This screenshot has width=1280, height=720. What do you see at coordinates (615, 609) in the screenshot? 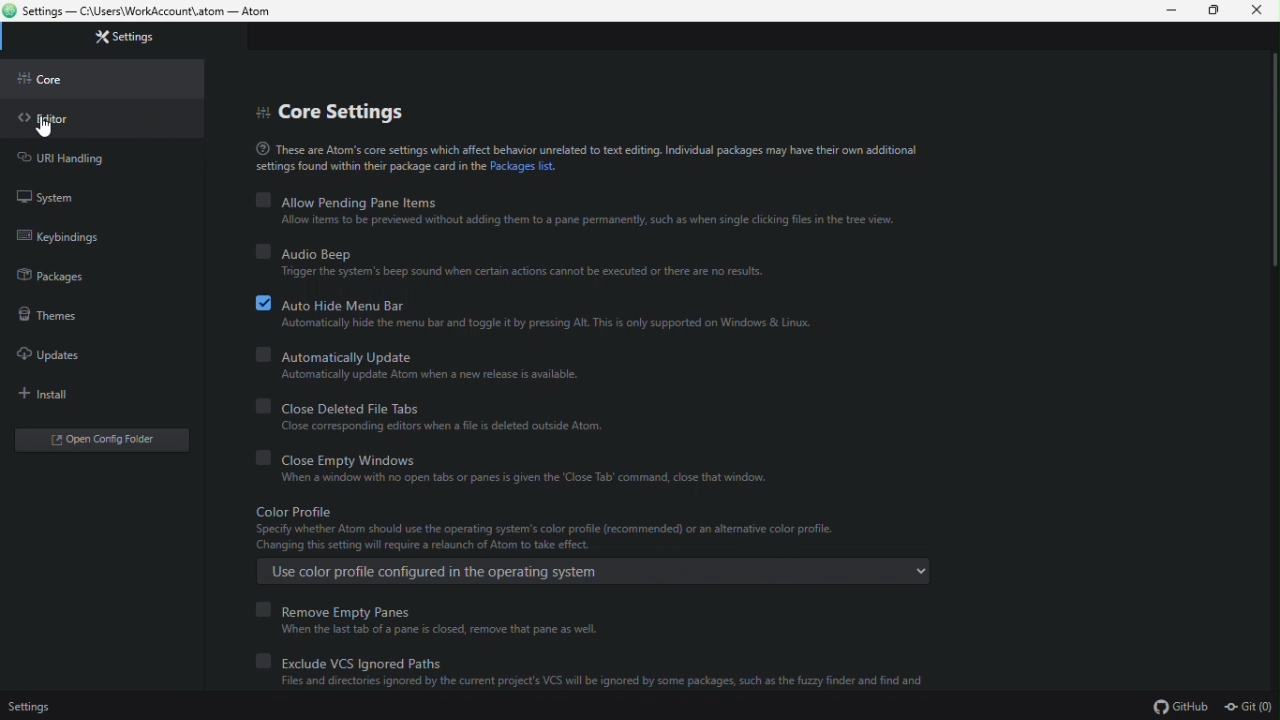
I see `remove empty panes` at bounding box center [615, 609].